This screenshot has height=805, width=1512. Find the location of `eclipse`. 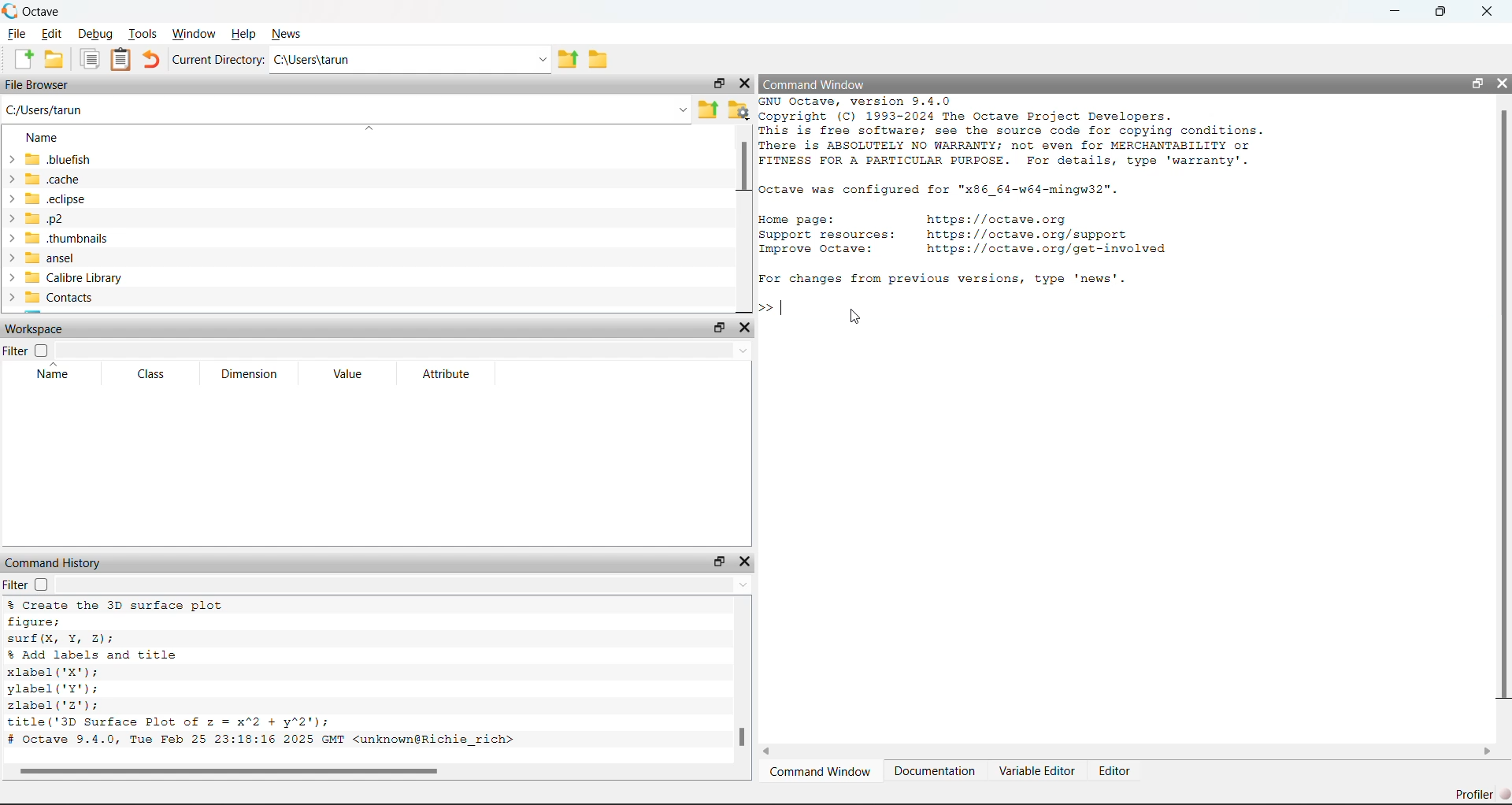

eclipse is located at coordinates (48, 199).